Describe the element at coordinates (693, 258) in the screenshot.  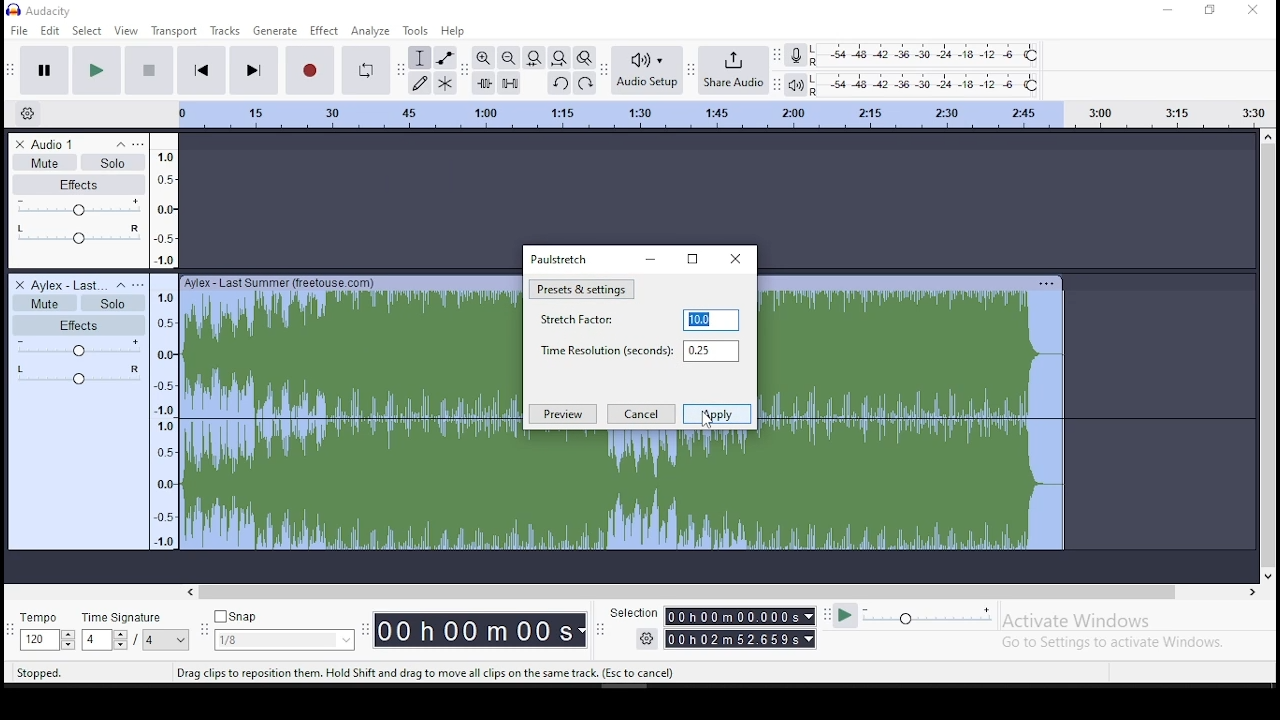
I see `maximize` at that location.